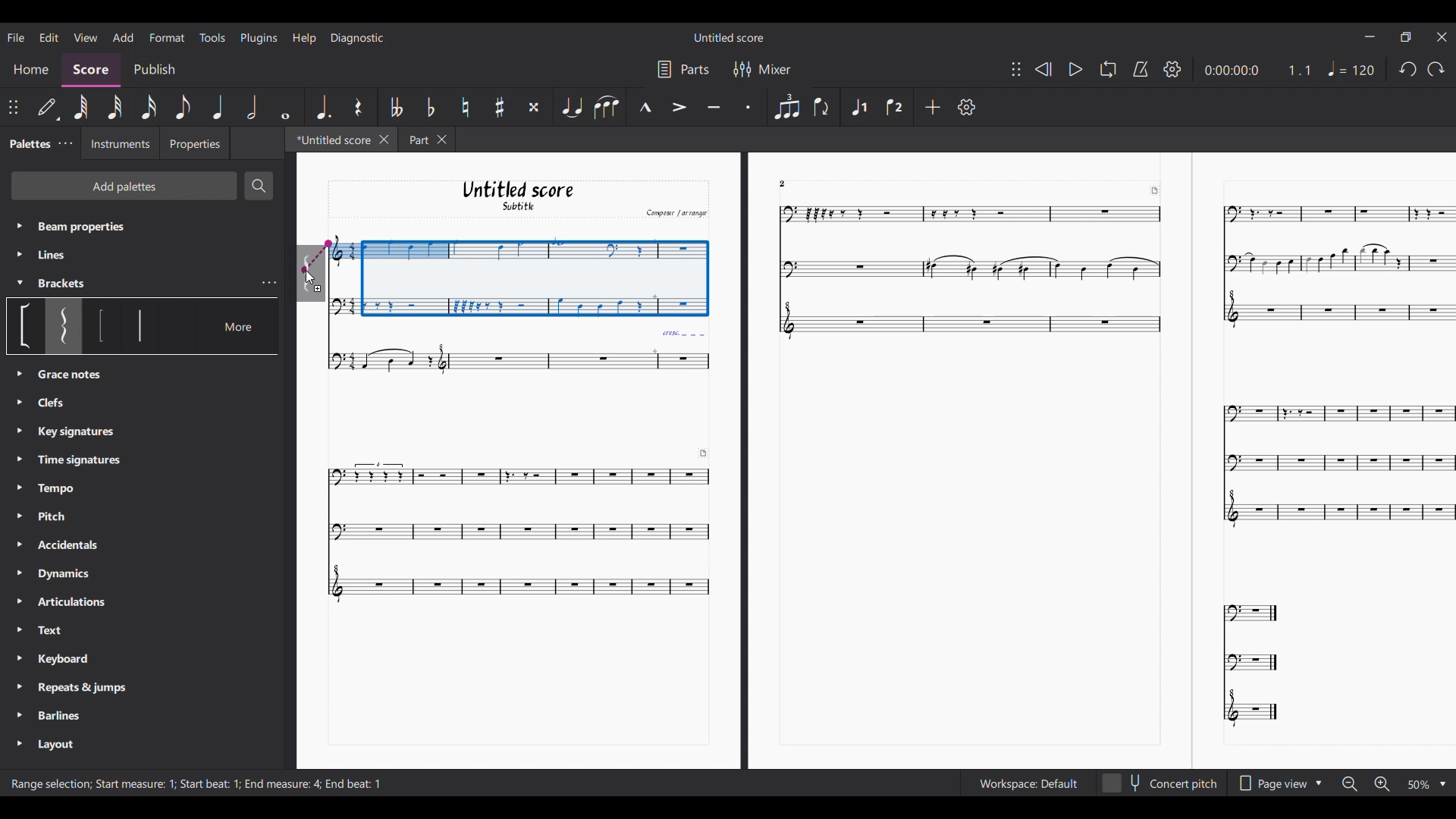 The width and height of the screenshot is (1456, 819). I want to click on , so click(973, 215).